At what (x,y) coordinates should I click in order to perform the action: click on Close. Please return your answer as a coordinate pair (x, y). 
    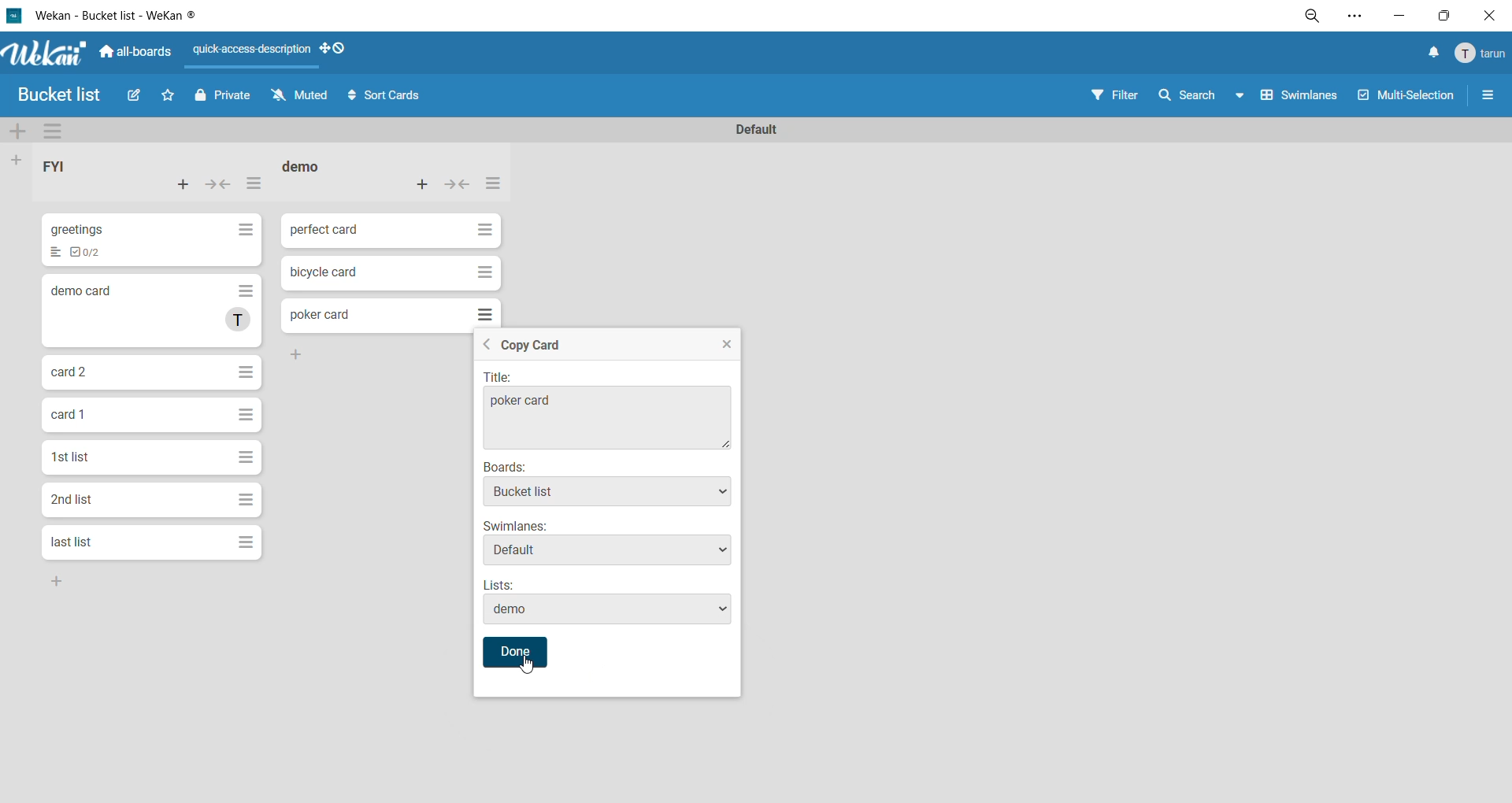
    Looking at the image, I should click on (726, 343).